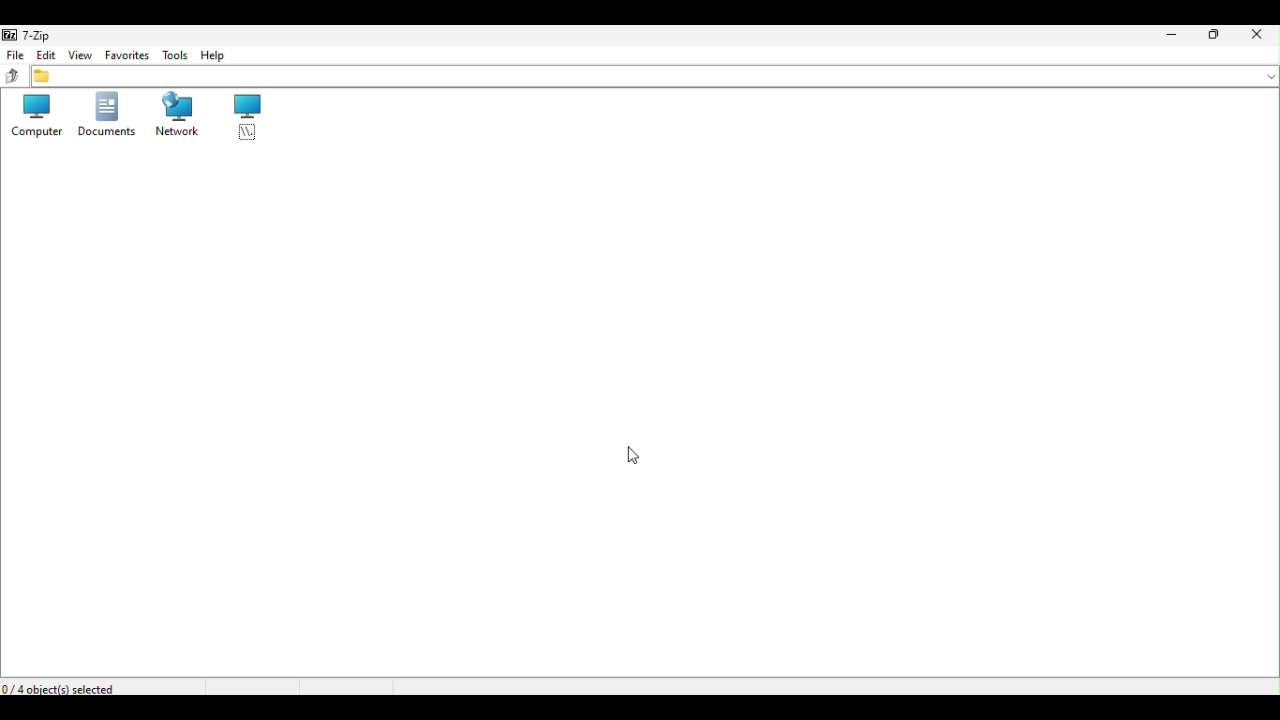 The image size is (1280, 720). What do you see at coordinates (123, 55) in the screenshot?
I see `Favourite` at bounding box center [123, 55].